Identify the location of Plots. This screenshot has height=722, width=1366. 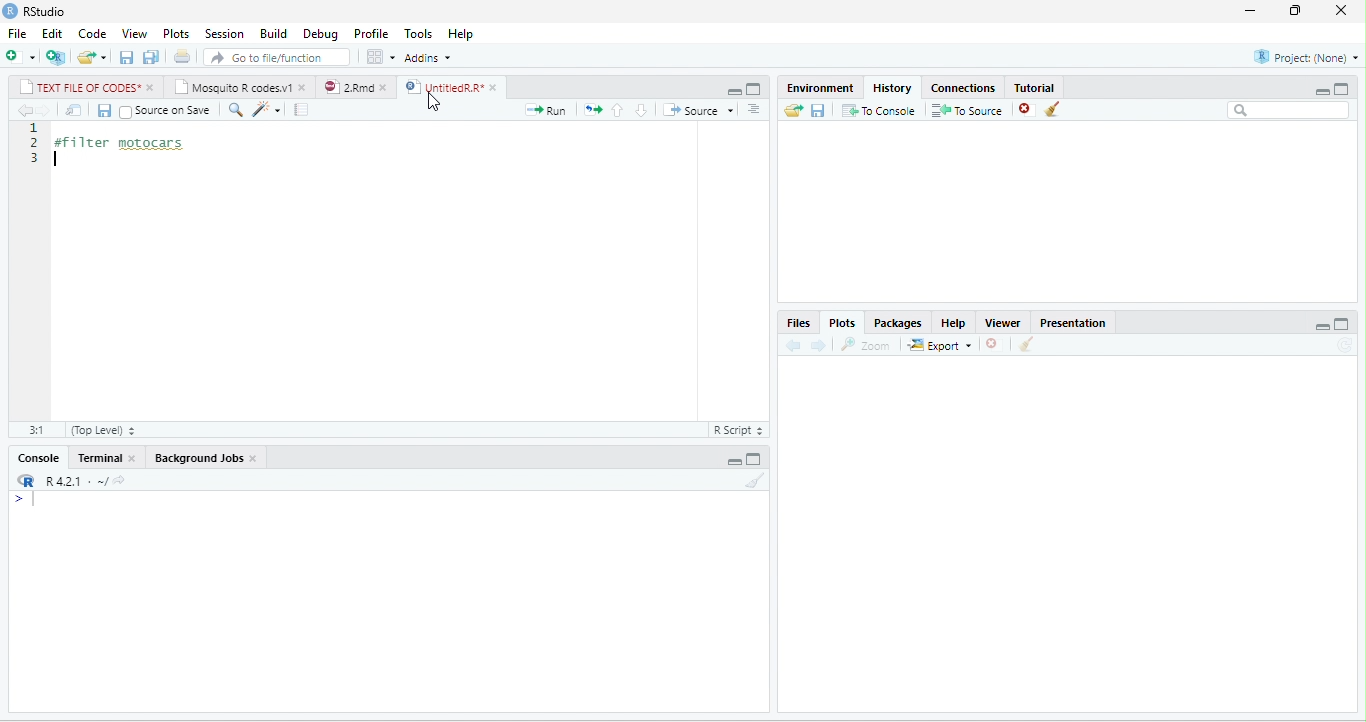
(176, 34).